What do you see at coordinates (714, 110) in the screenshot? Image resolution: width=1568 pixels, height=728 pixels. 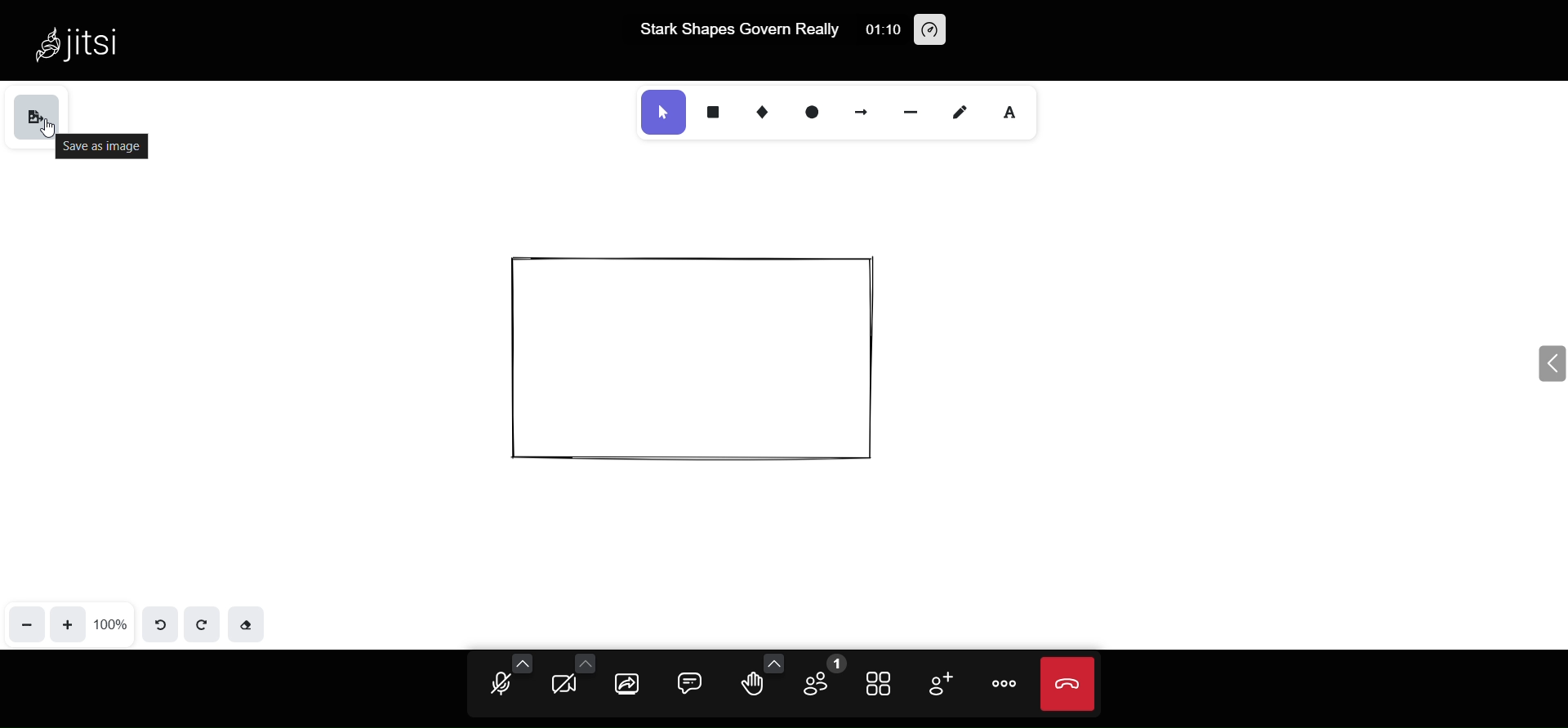 I see `rectangle` at bounding box center [714, 110].